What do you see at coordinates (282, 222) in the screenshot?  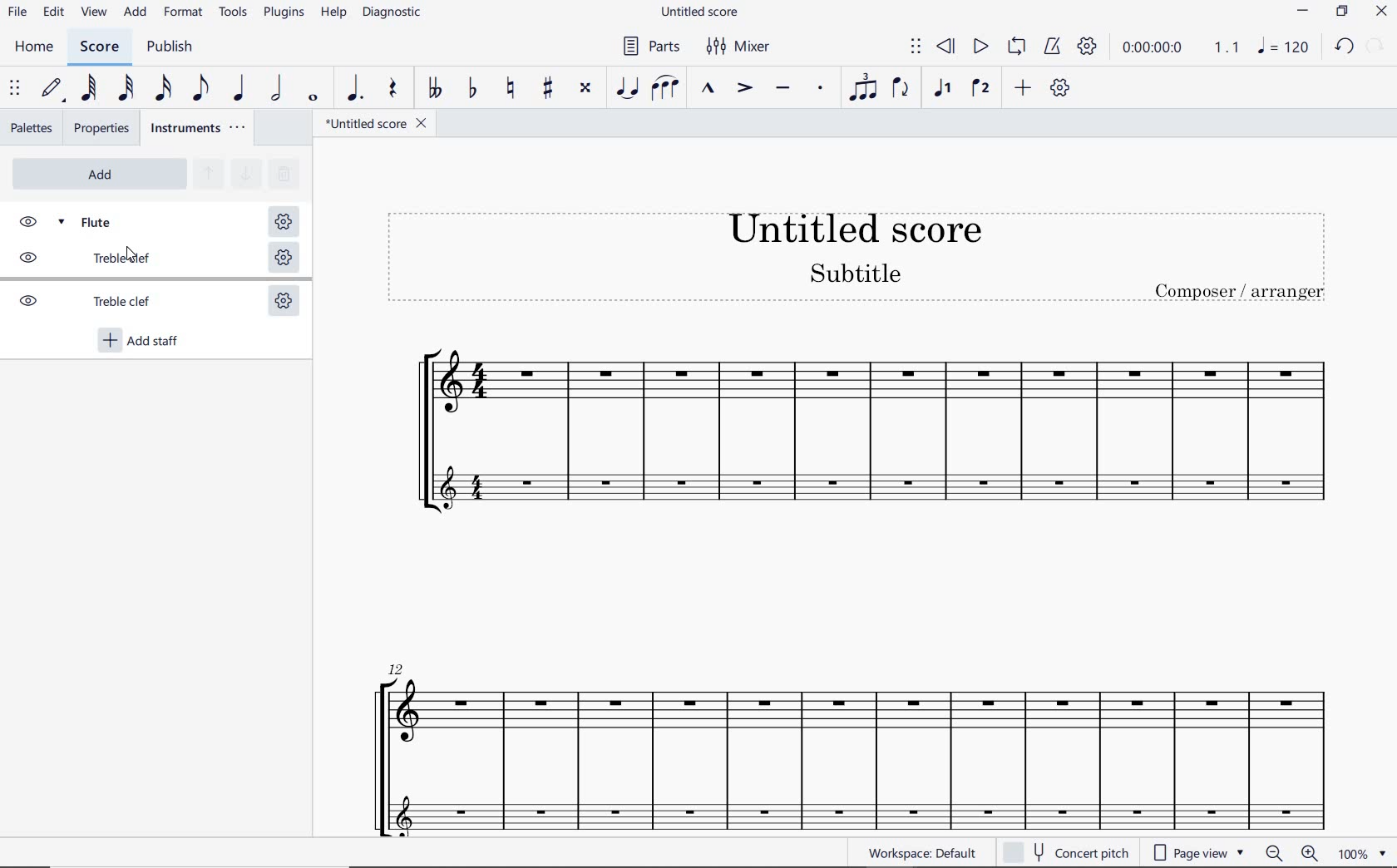 I see `STAFF SETTING` at bounding box center [282, 222].